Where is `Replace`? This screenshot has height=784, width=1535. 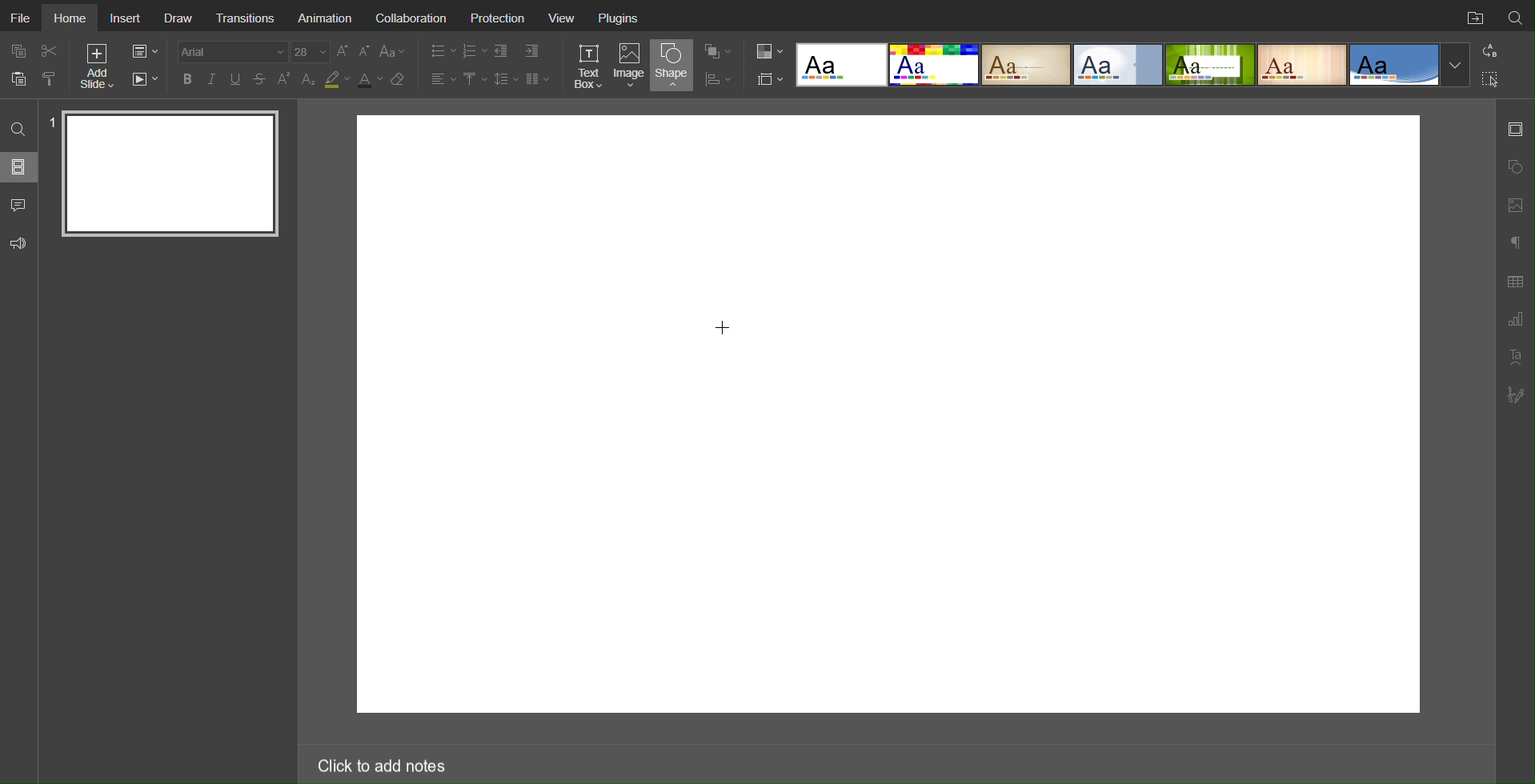 Replace is located at coordinates (1489, 50).